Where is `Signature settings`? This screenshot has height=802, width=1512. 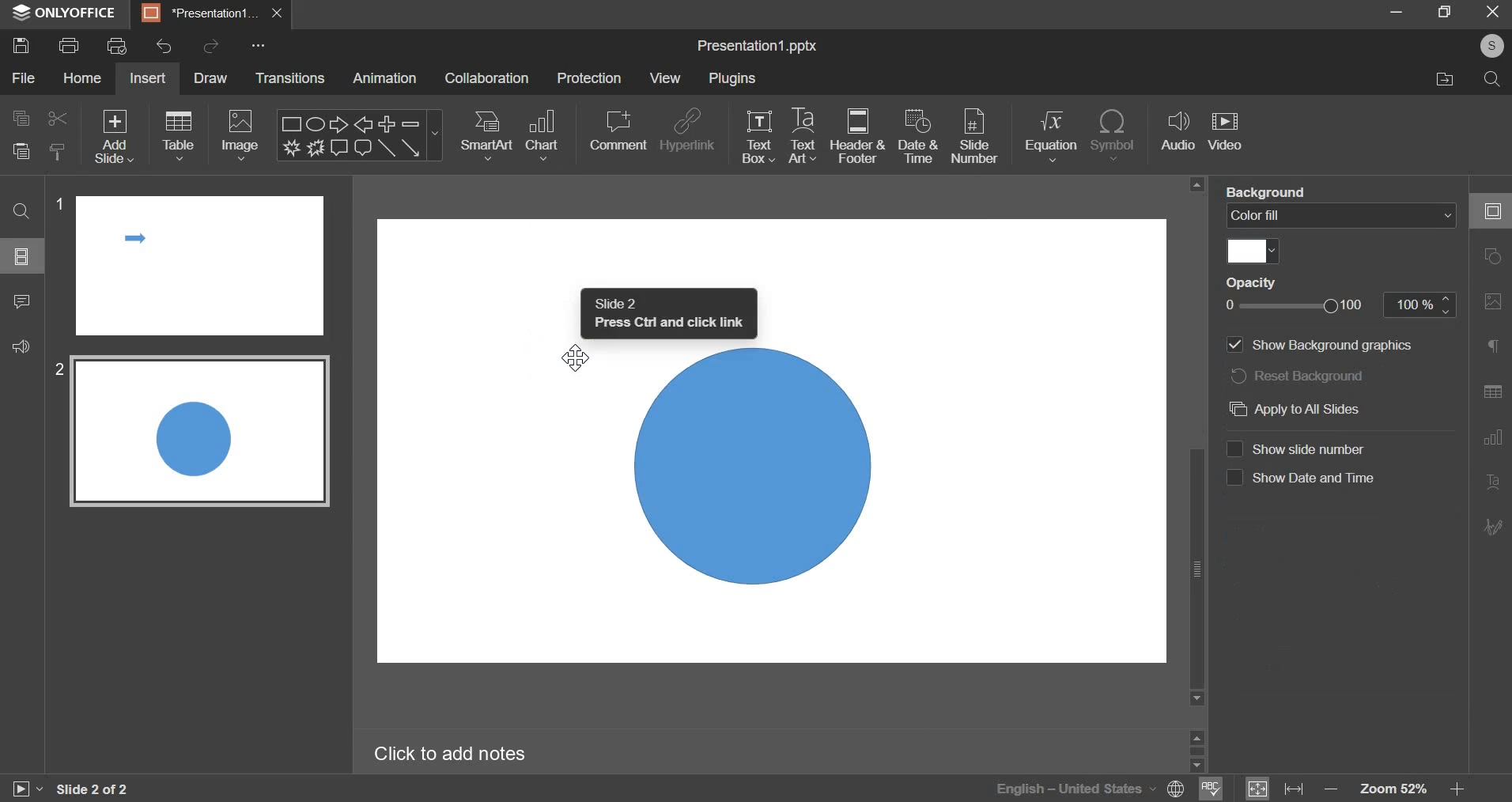
Signature settings is located at coordinates (1495, 526).